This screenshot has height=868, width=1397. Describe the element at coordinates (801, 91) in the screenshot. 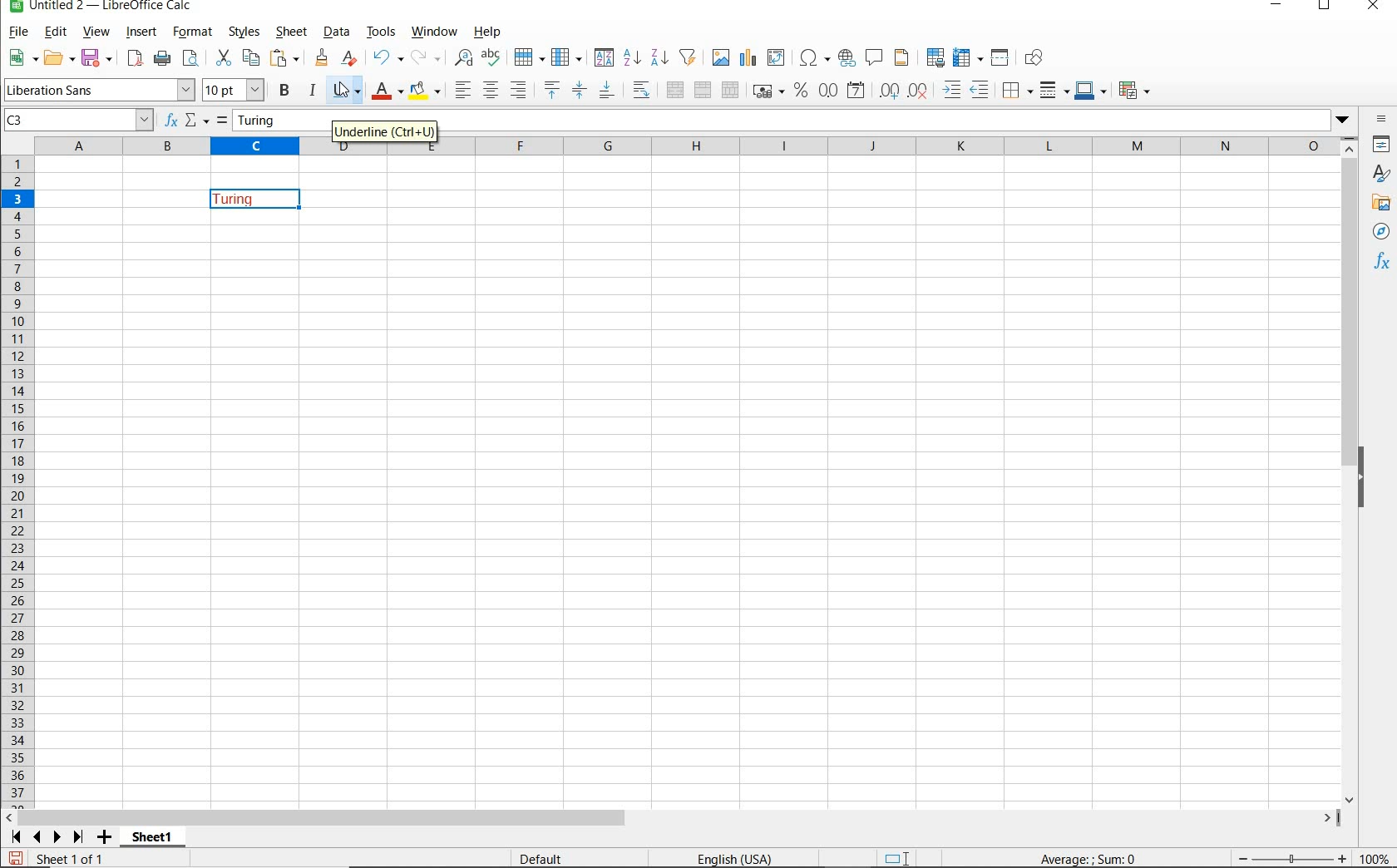

I see `FORMAT AS PERCENT` at that location.